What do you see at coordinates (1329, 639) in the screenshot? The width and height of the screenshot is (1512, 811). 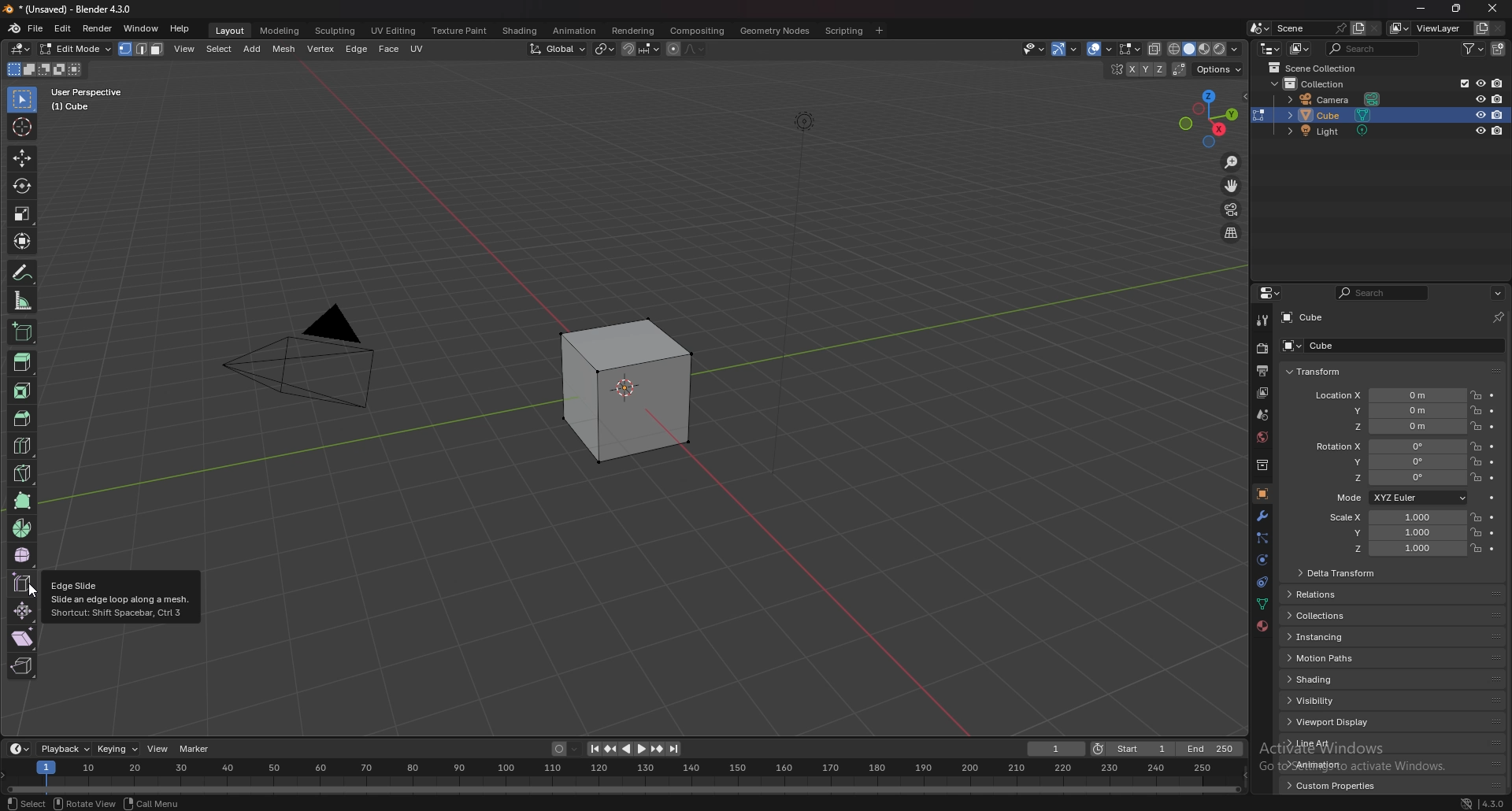 I see `instancing` at bounding box center [1329, 639].